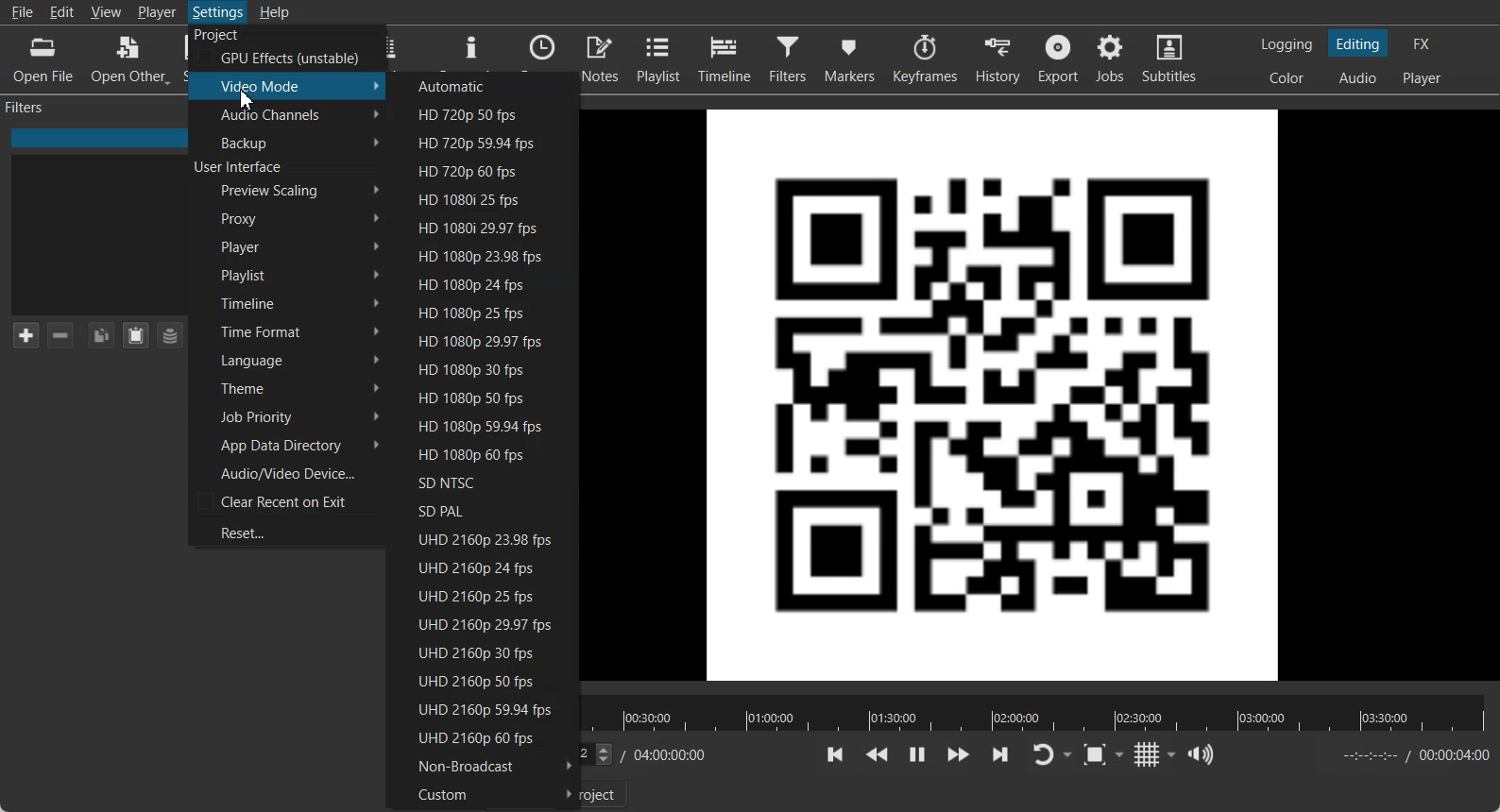  I want to click on Recent, so click(542, 48).